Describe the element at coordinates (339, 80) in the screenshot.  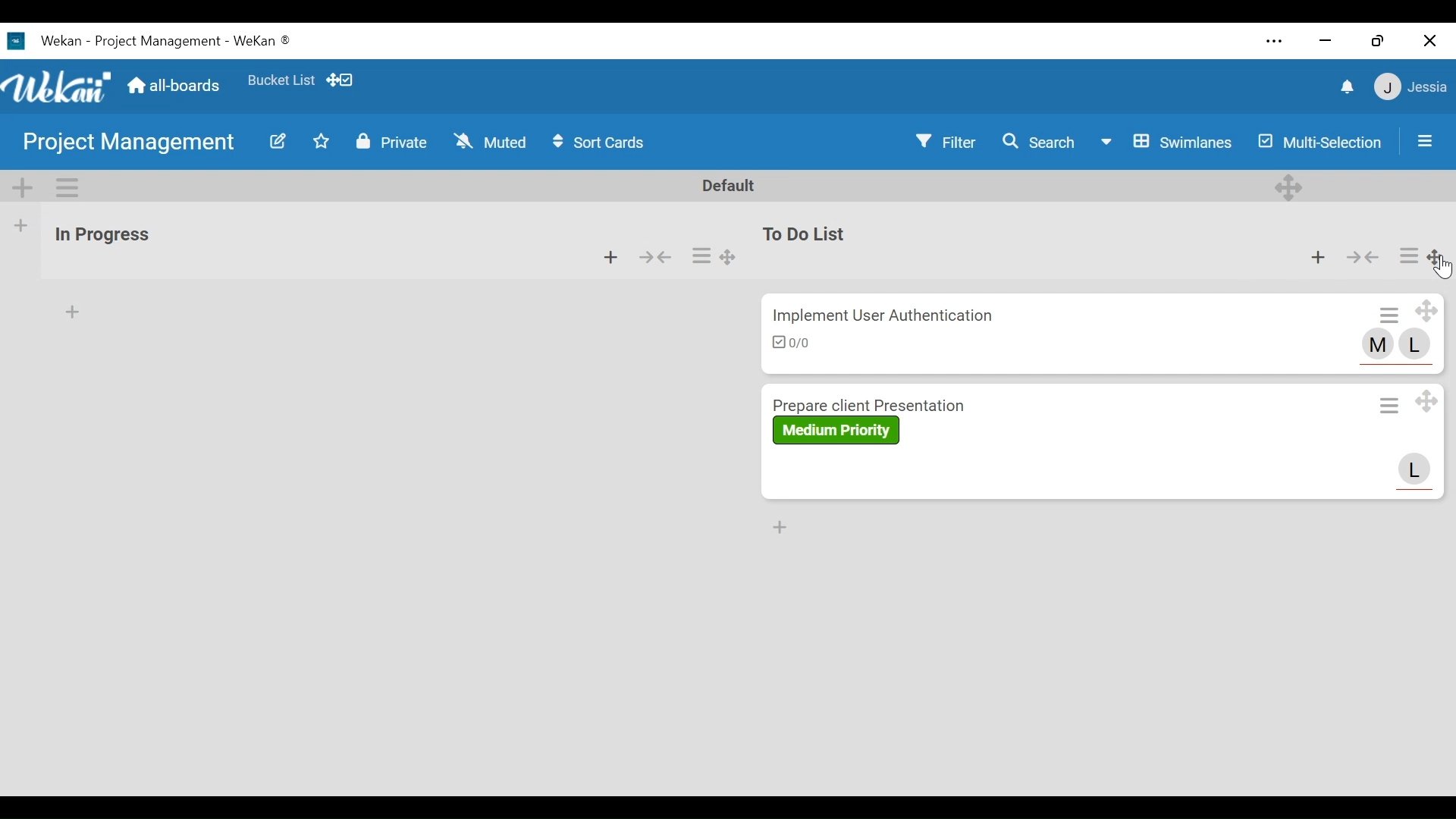
I see `Show Desktop drag handles` at that location.